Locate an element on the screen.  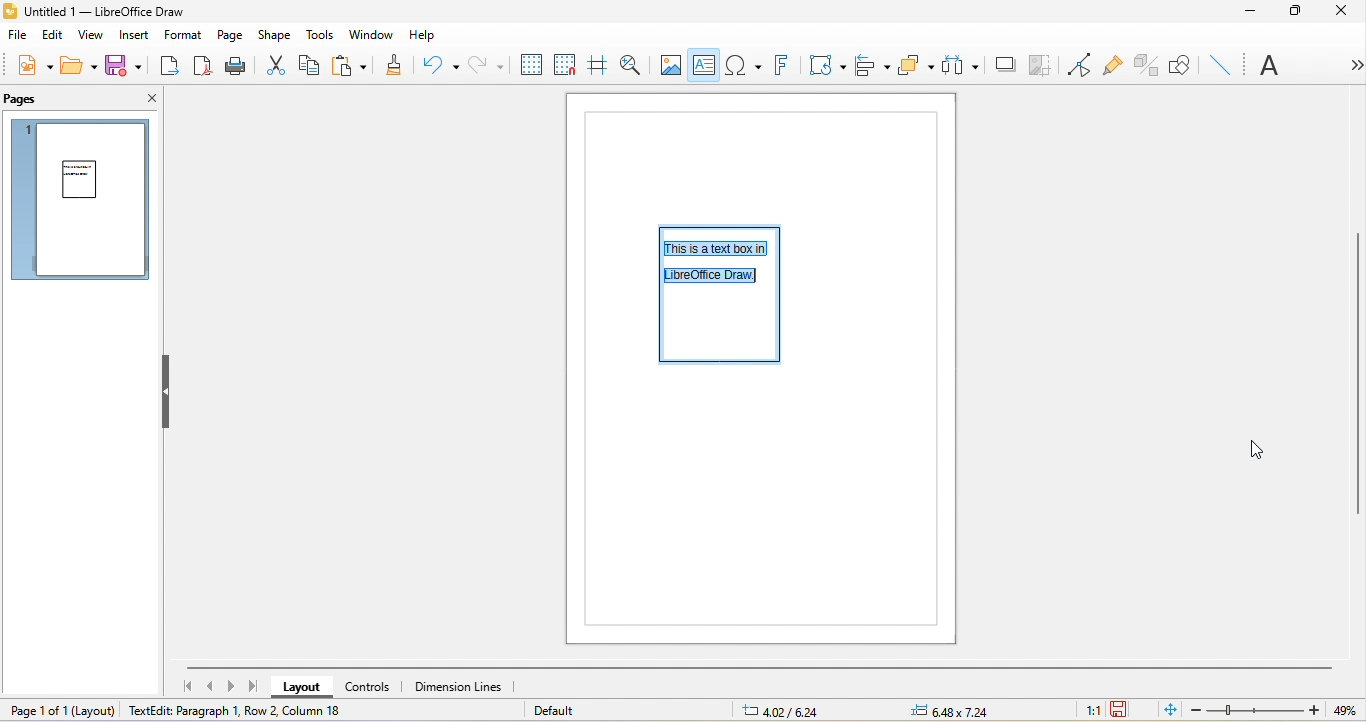
text spacing is located at coordinates (86, 201).